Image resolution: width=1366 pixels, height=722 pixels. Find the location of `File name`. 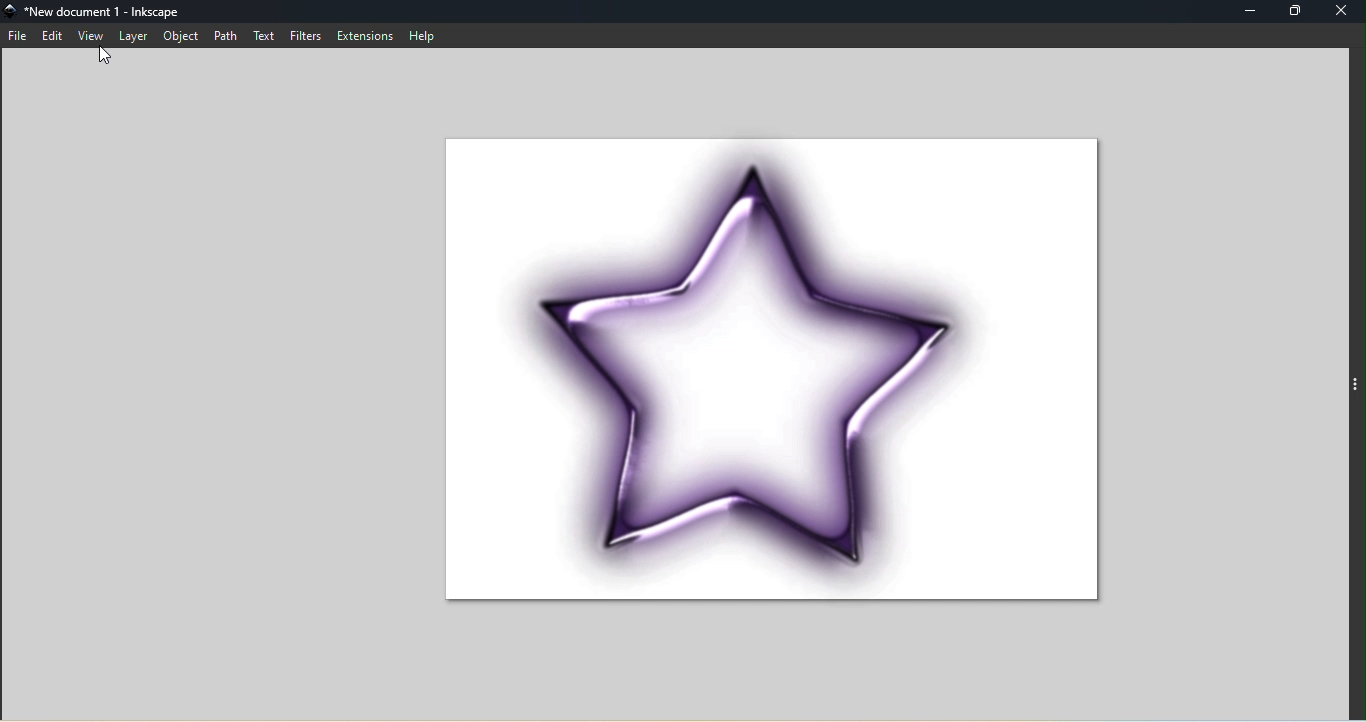

File name is located at coordinates (111, 12).